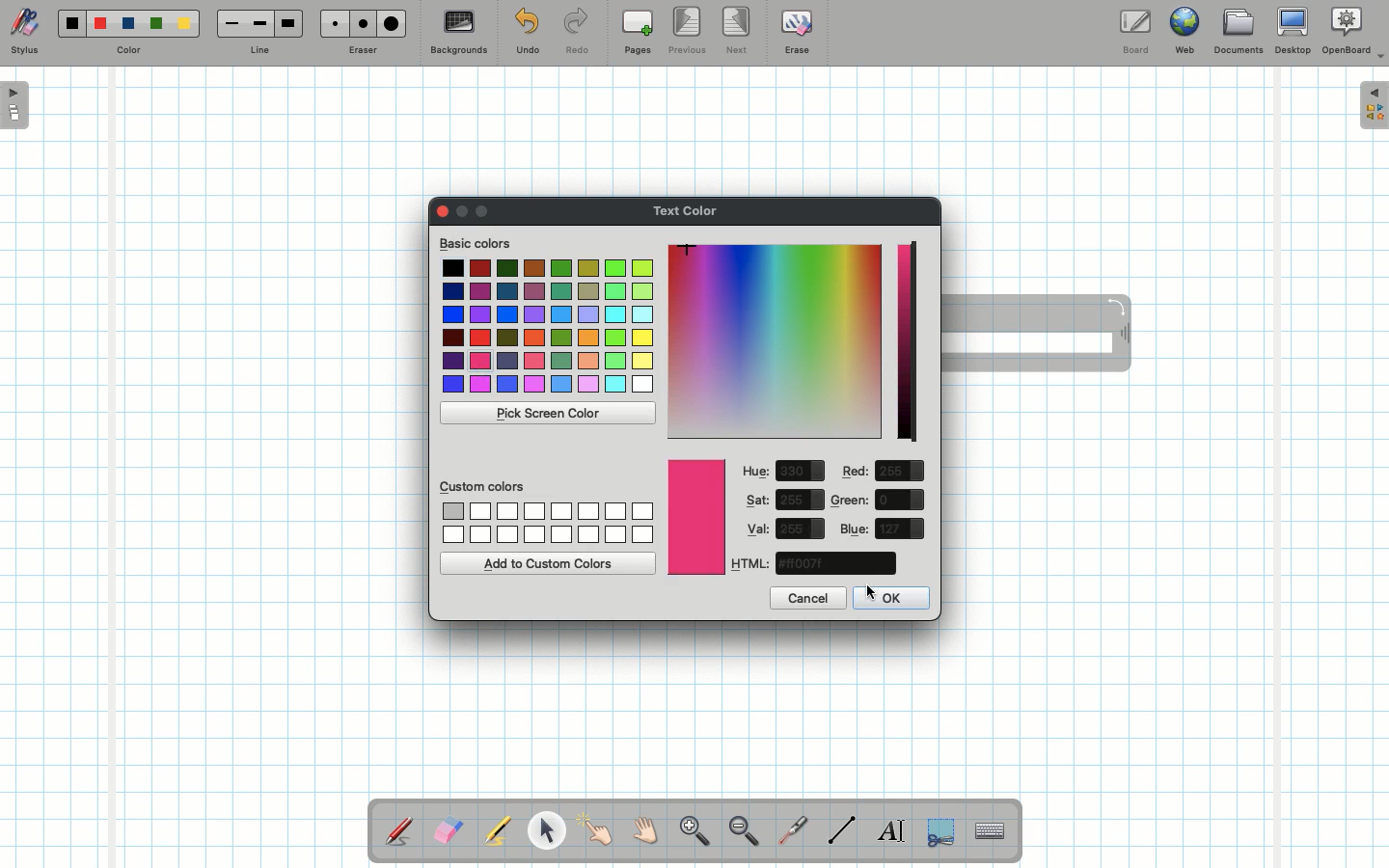 The image size is (1389, 868). What do you see at coordinates (871, 594) in the screenshot?
I see `cursor` at bounding box center [871, 594].